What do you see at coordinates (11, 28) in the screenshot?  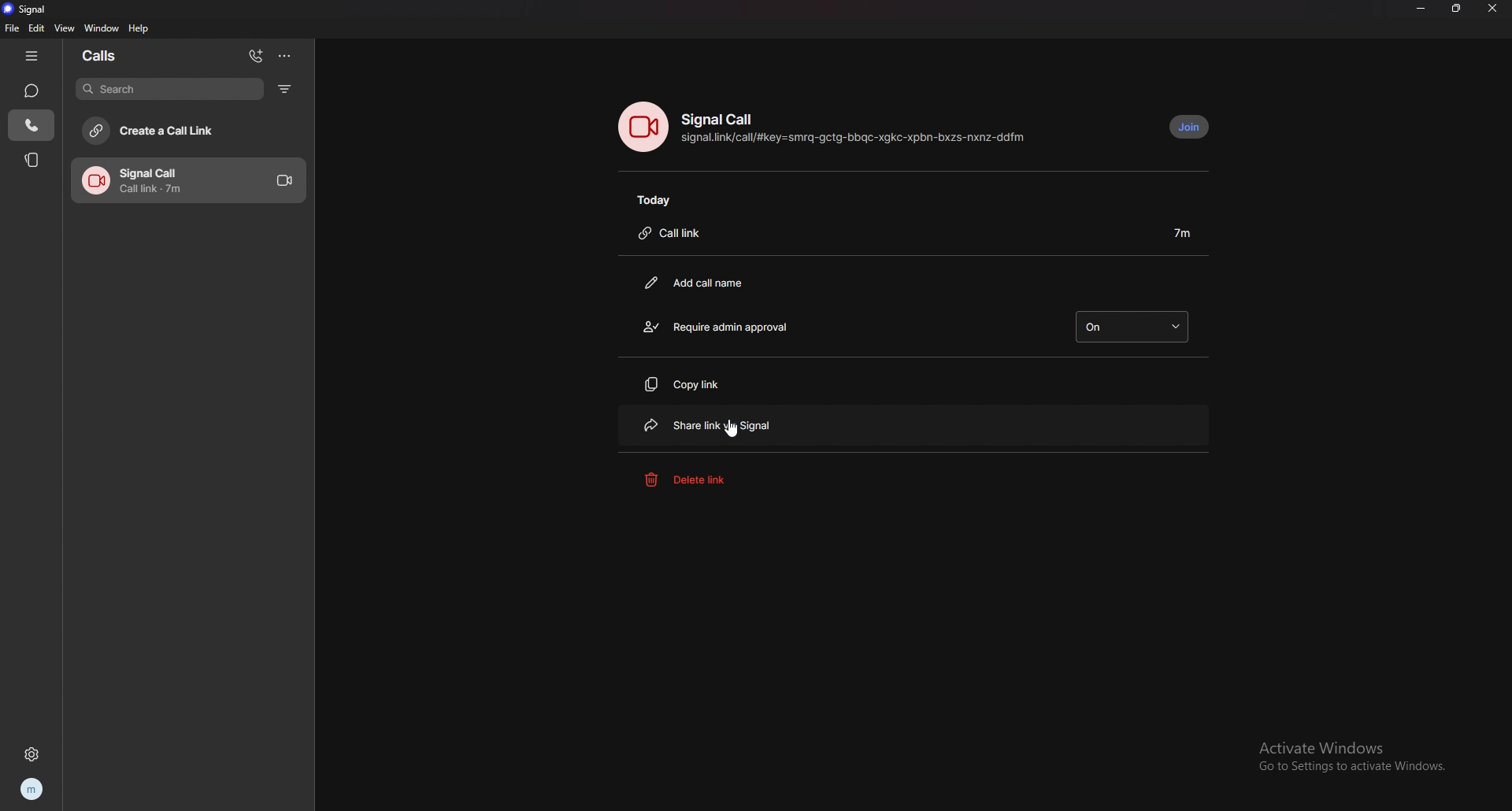 I see `file` at bounding box center [11, 28].